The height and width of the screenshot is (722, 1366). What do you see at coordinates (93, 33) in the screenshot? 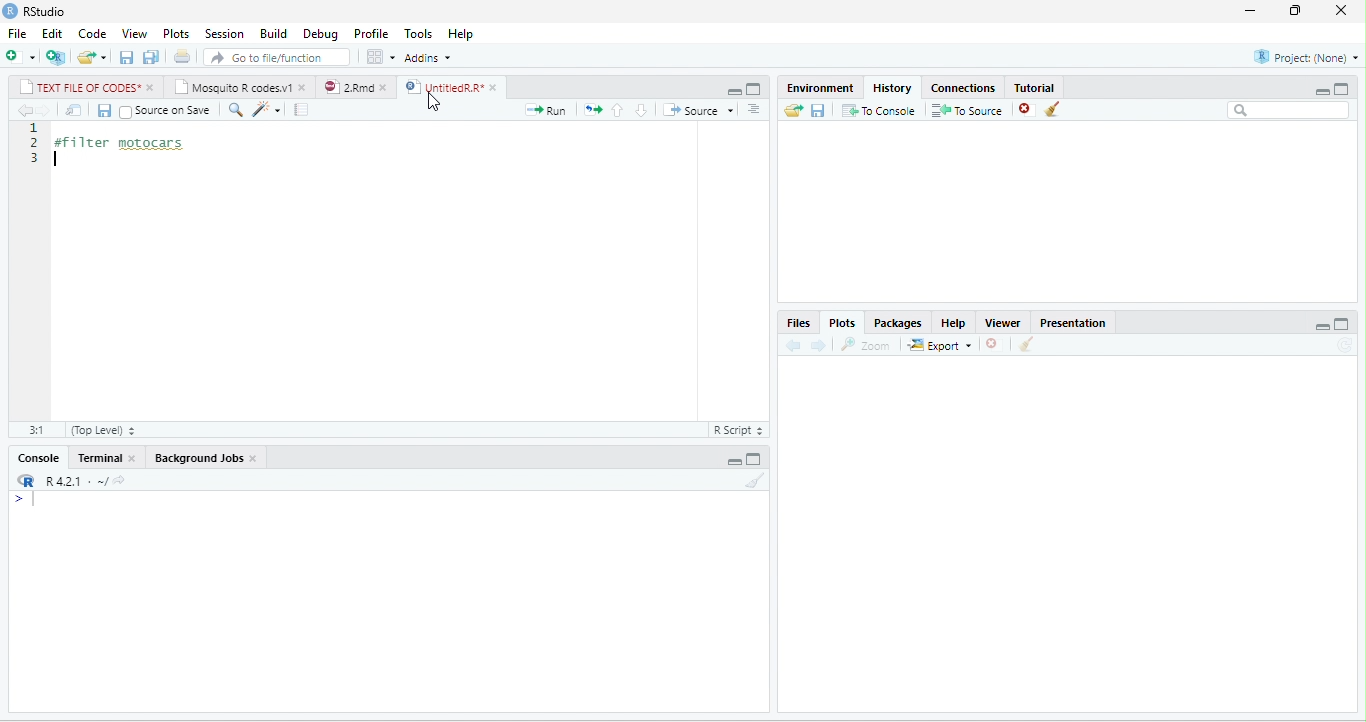
I see `Code` at bounding box center [93, 33].